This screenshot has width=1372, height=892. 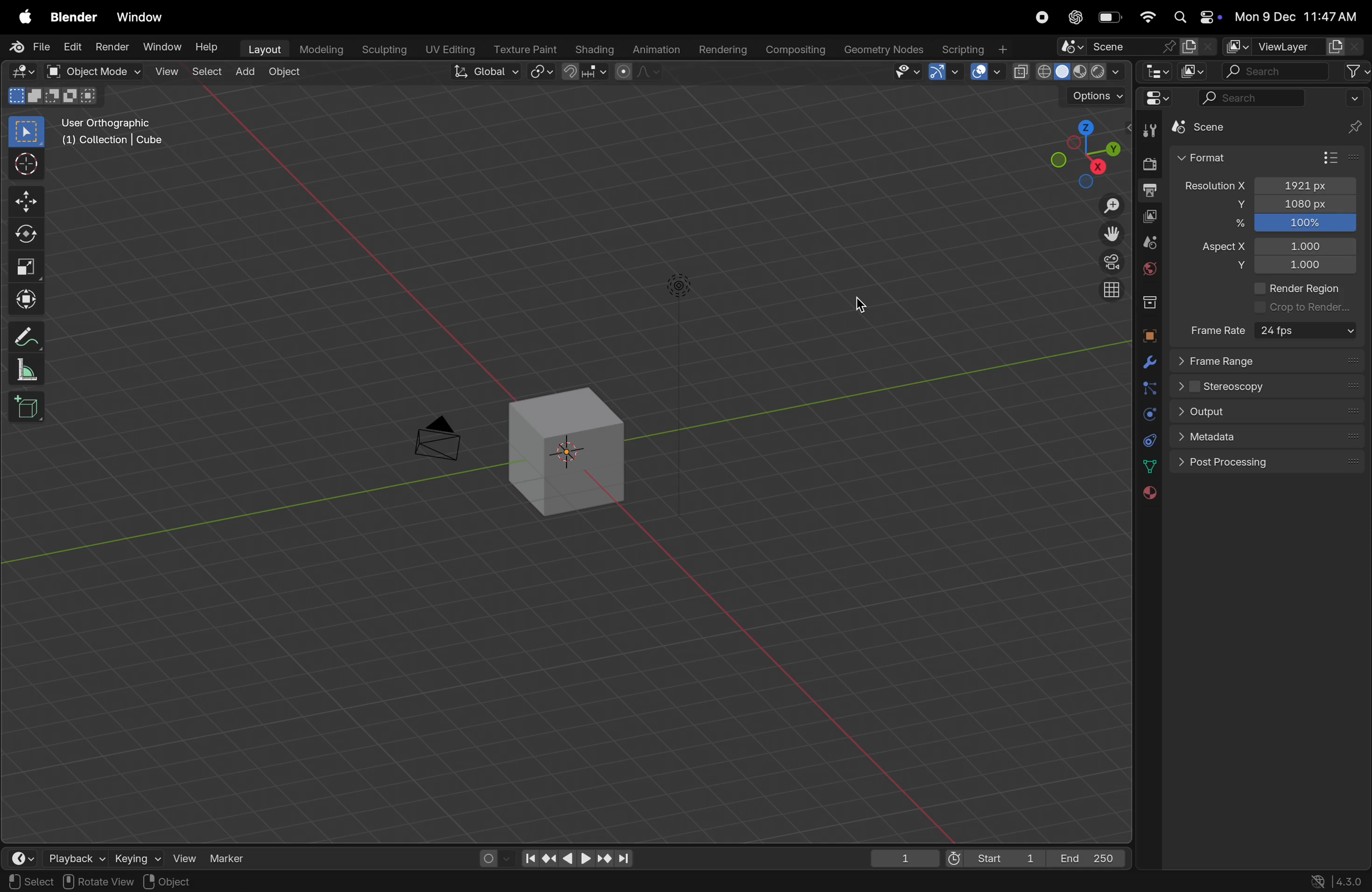 I want to click on object, so click(x=1148, y=335).